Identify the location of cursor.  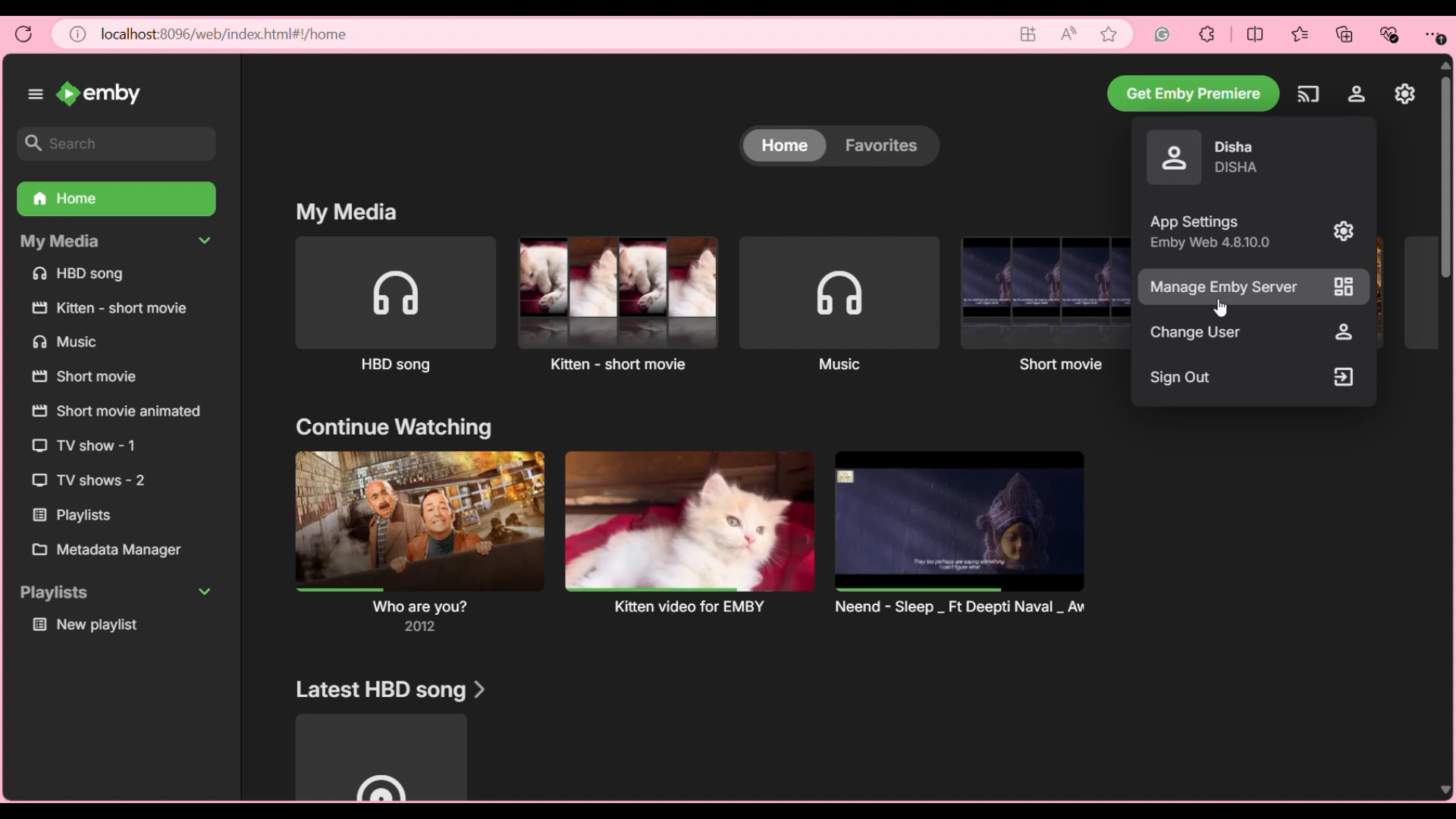
(1216, 316).